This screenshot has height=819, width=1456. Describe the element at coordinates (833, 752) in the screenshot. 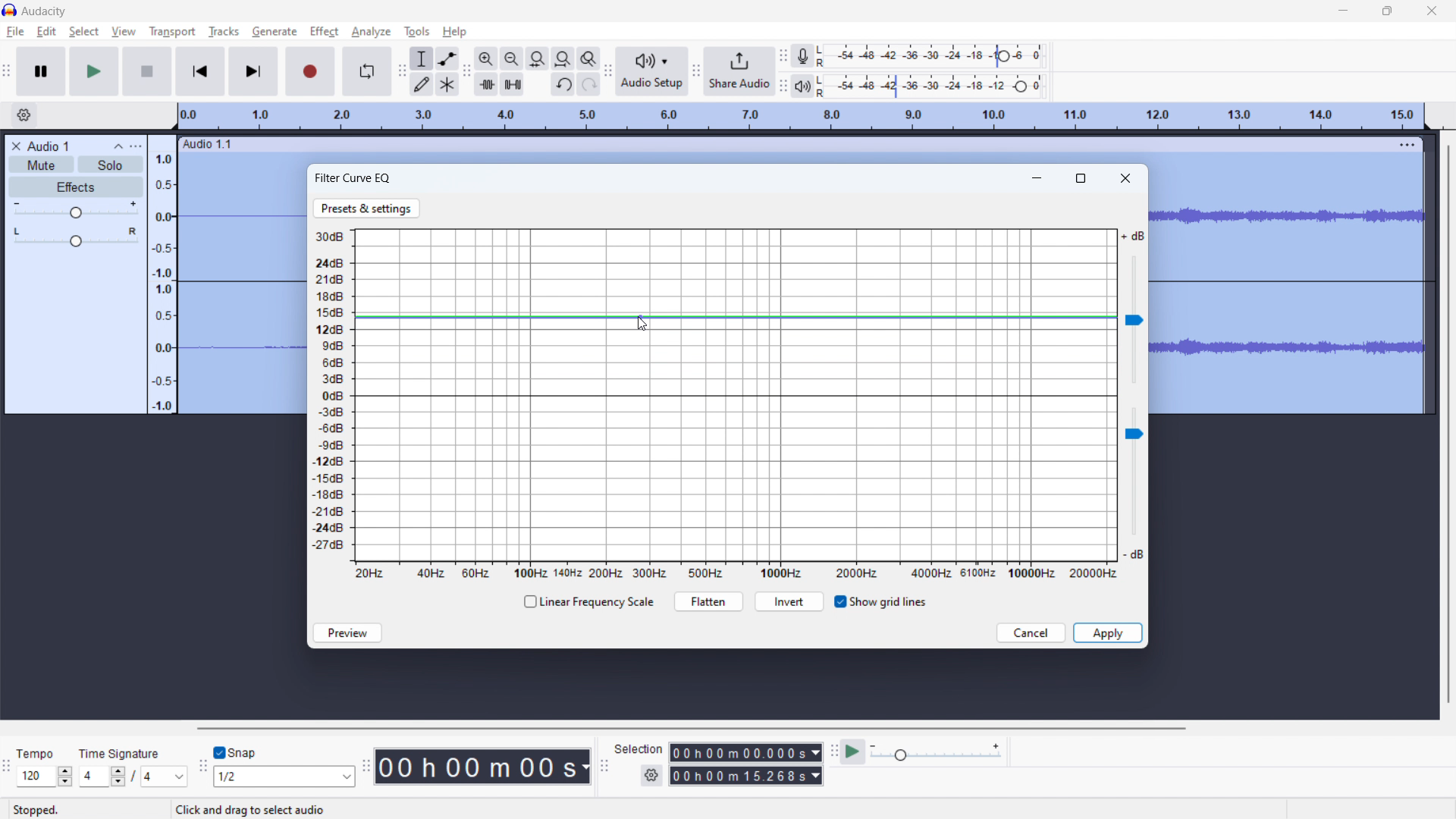

I see `play at speed toolbar` at that location.